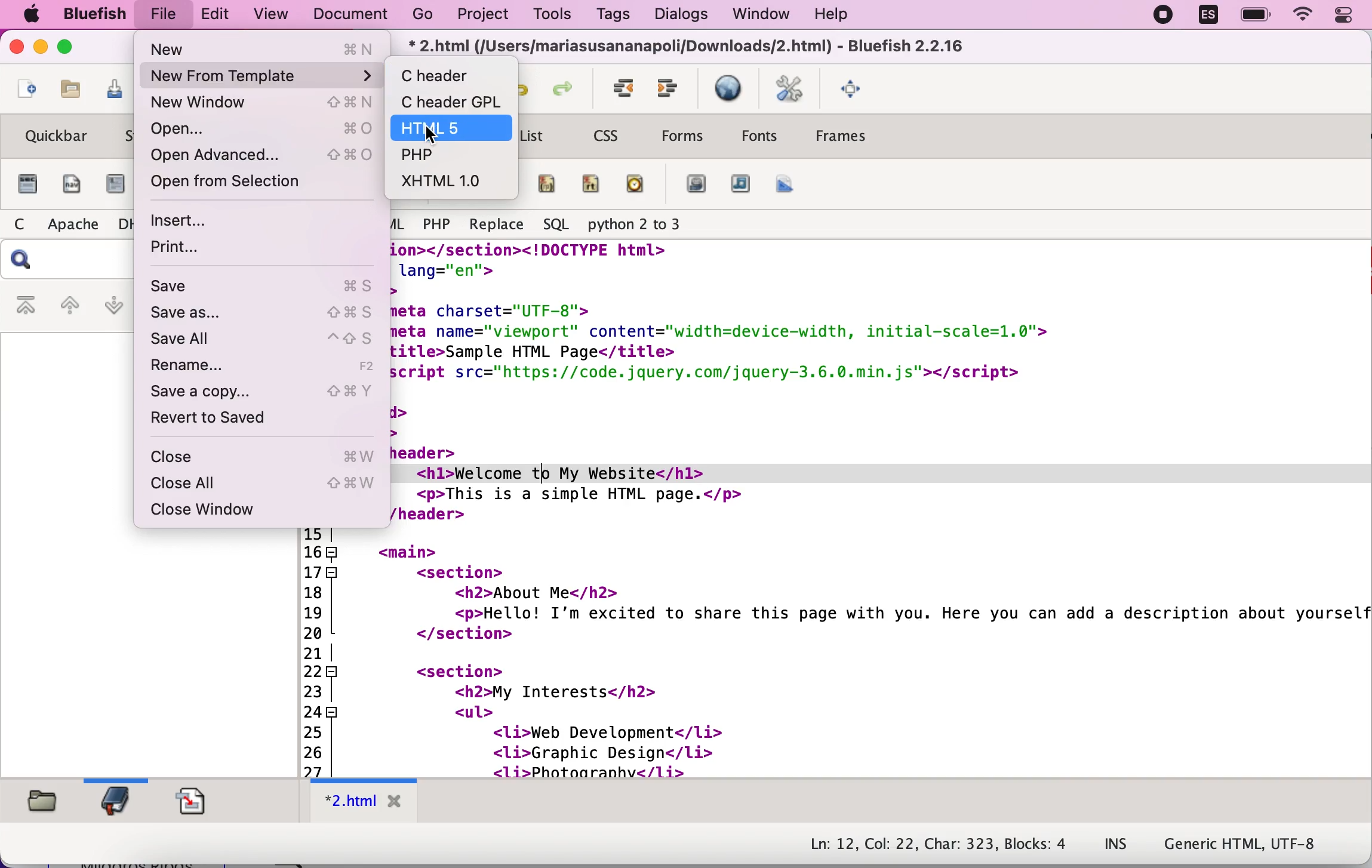 The height and width of the screenshot is (868, 1372). Describe the element at coordinates (265, 76) in the screenshot. I see `new from template` at that location.